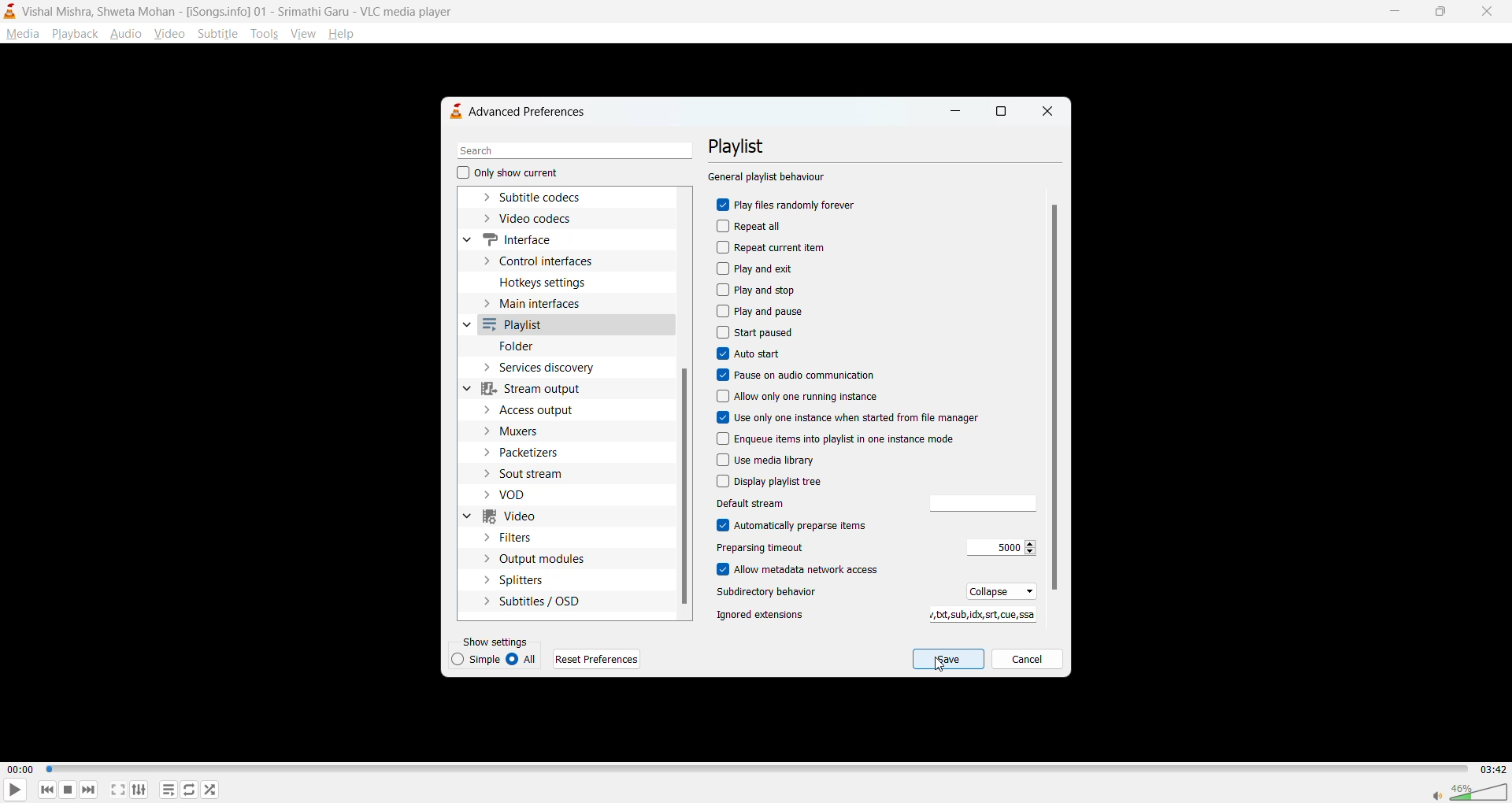 The height and width of the screenshot is (803, 1512). What do you see at coordinates (118, 790) in the screenshot?
I see `fullscreen` at bounding box center [118, 790].